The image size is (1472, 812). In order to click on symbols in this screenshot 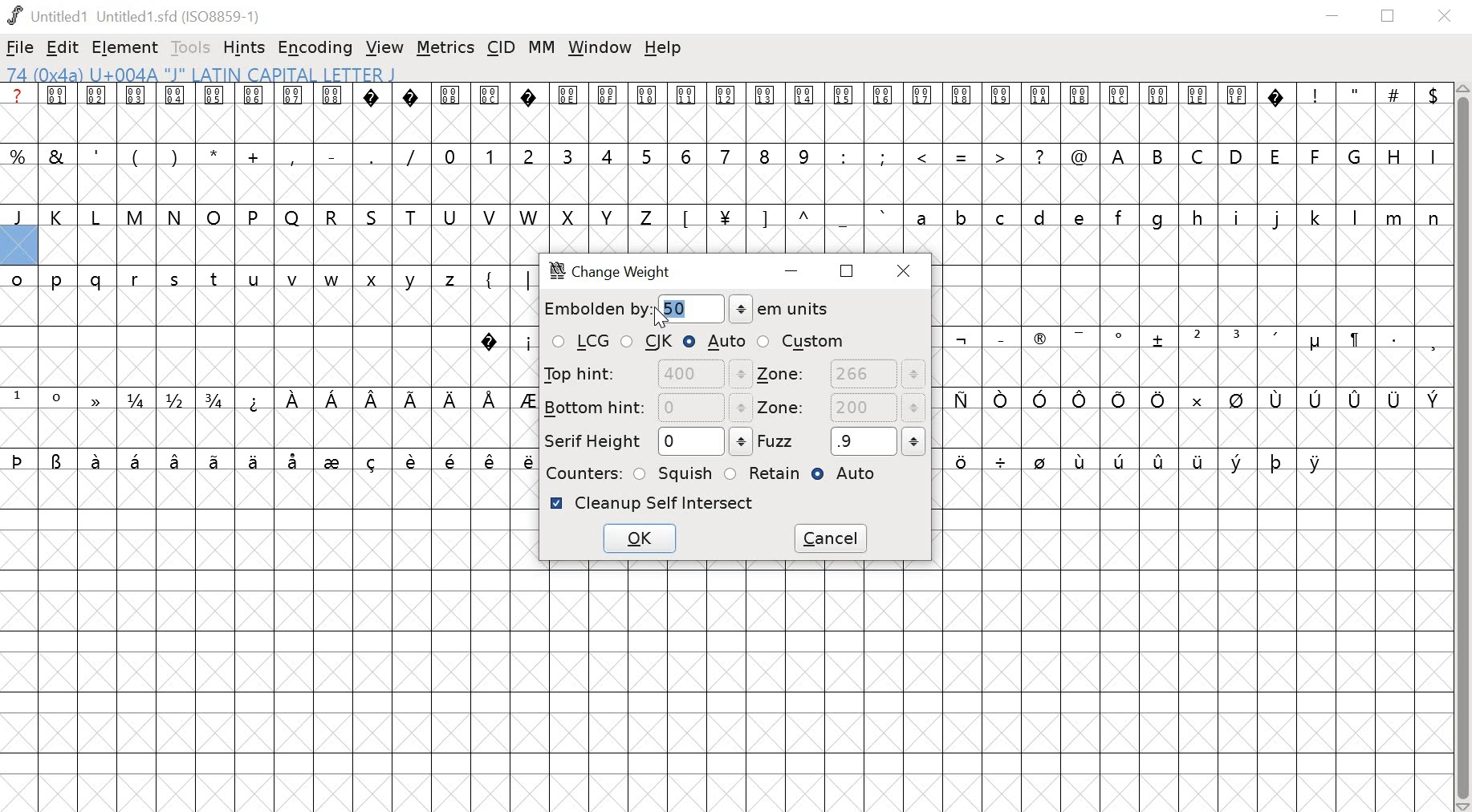, I will do `click(504, 341)`.